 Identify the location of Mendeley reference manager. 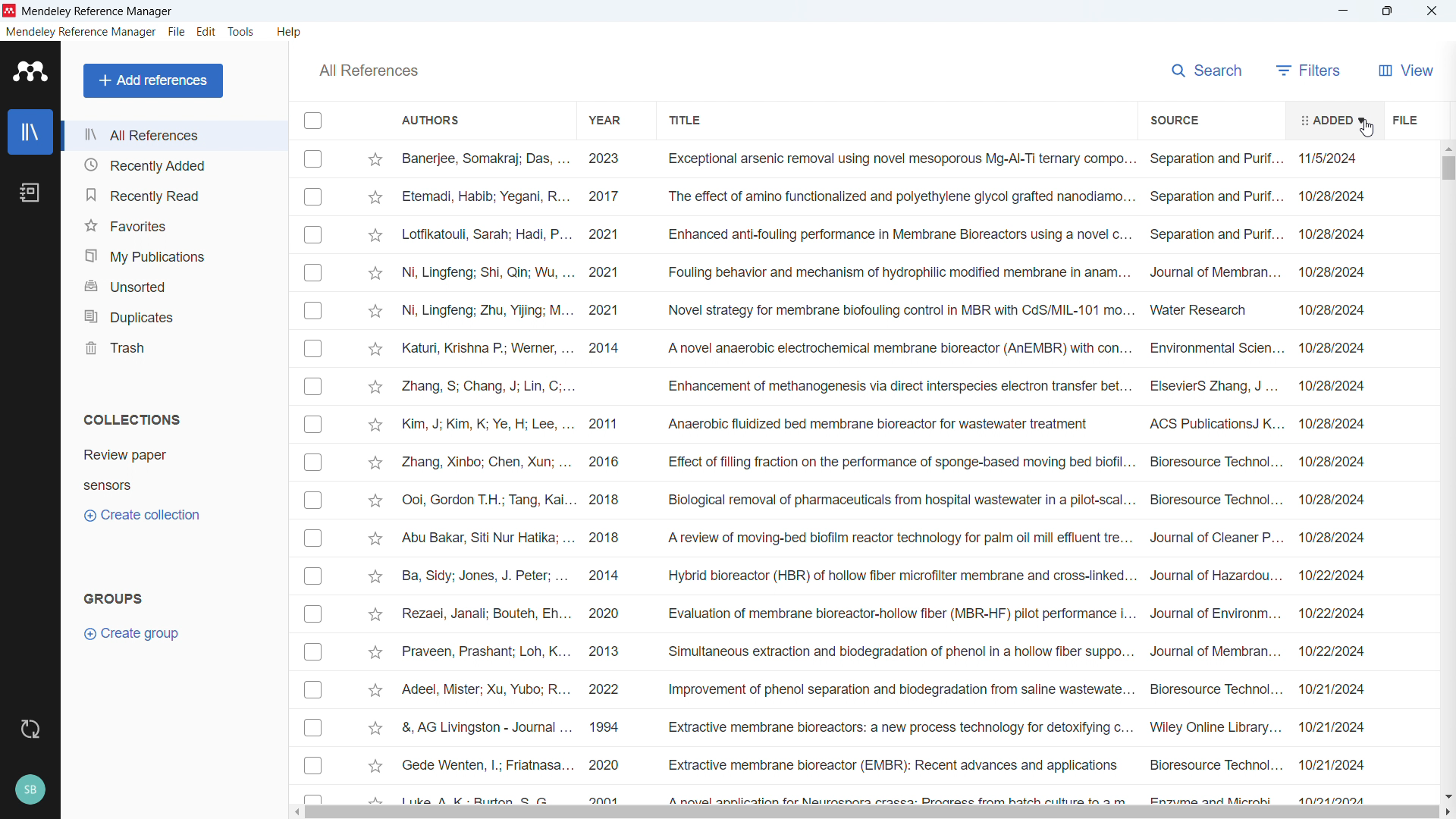
(80, 32).